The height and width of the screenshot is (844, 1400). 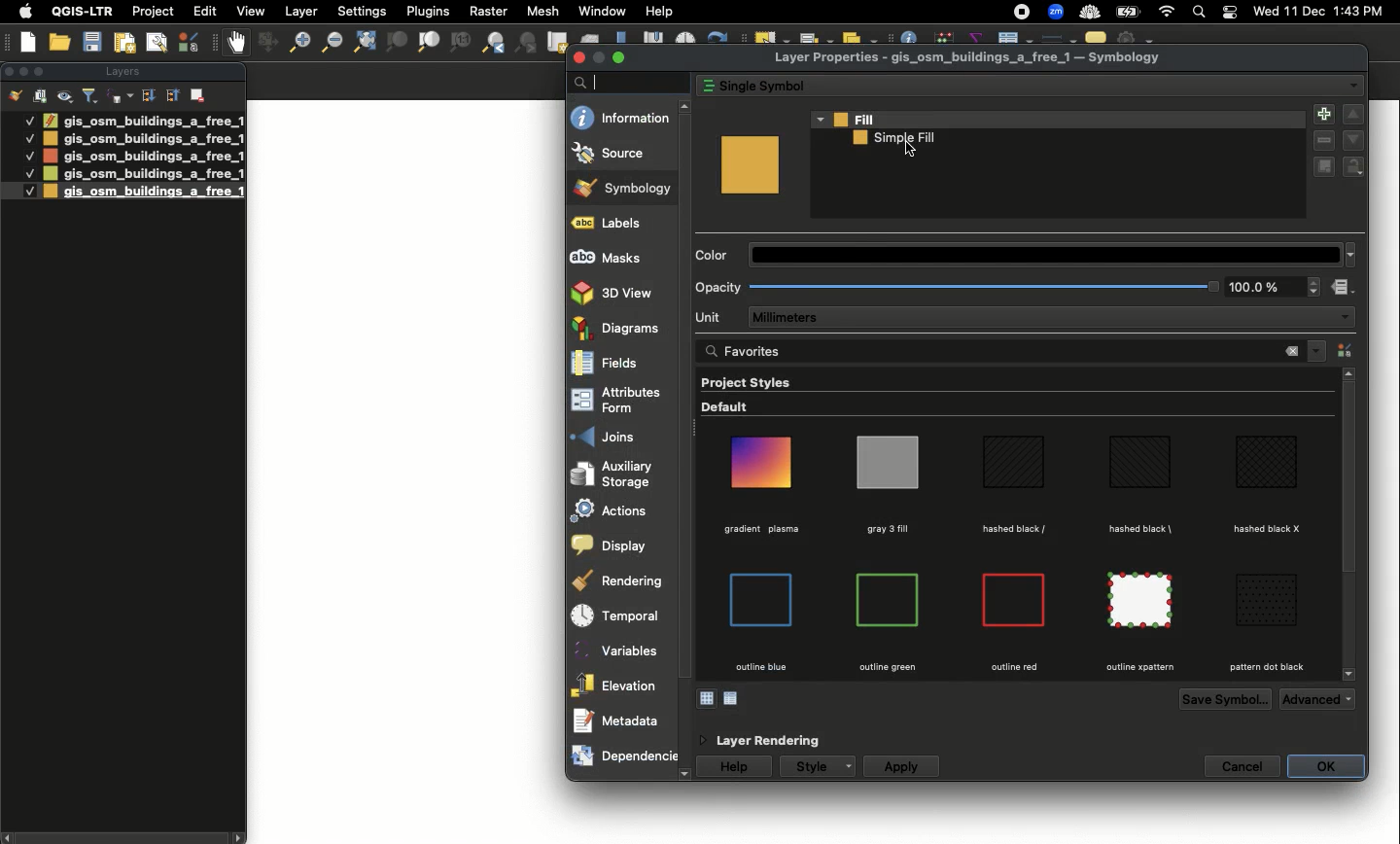 I want to click on Raster, so click(x=486, y=12).